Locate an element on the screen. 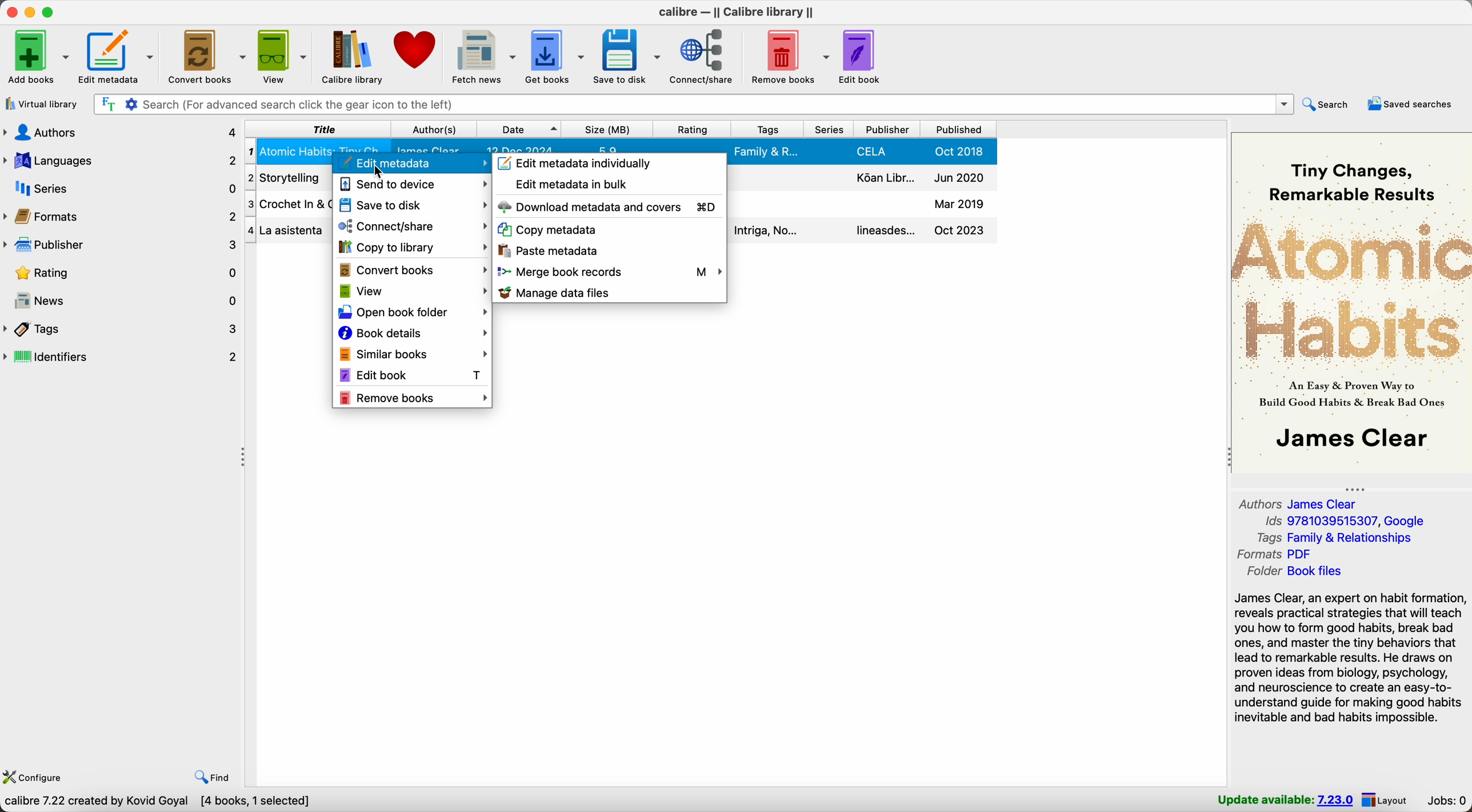  formats is located at coordinates (1275, 554).